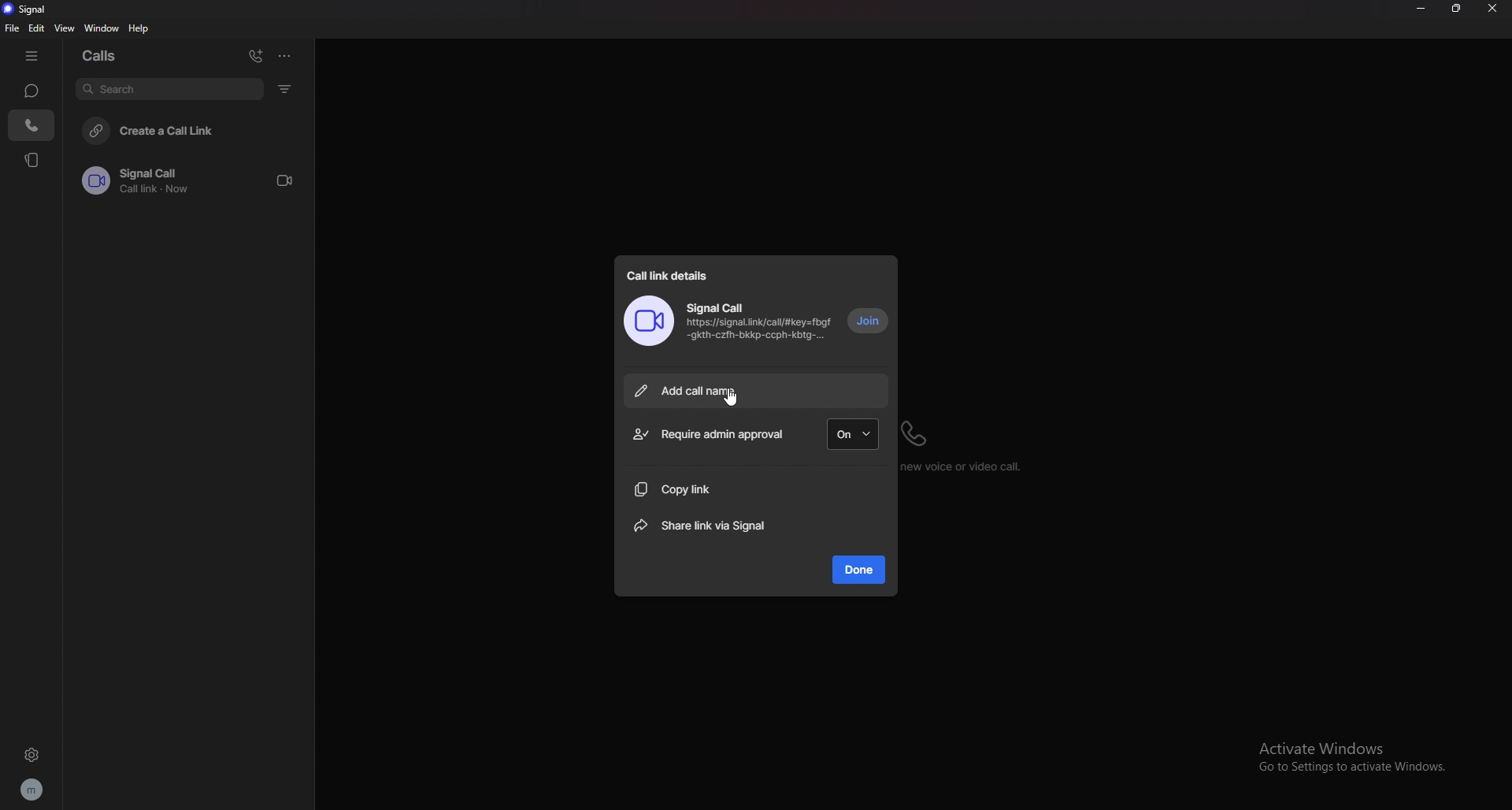 The width and height of the screenshot is (1512, 810). I want to click on help, so click(139, 28).